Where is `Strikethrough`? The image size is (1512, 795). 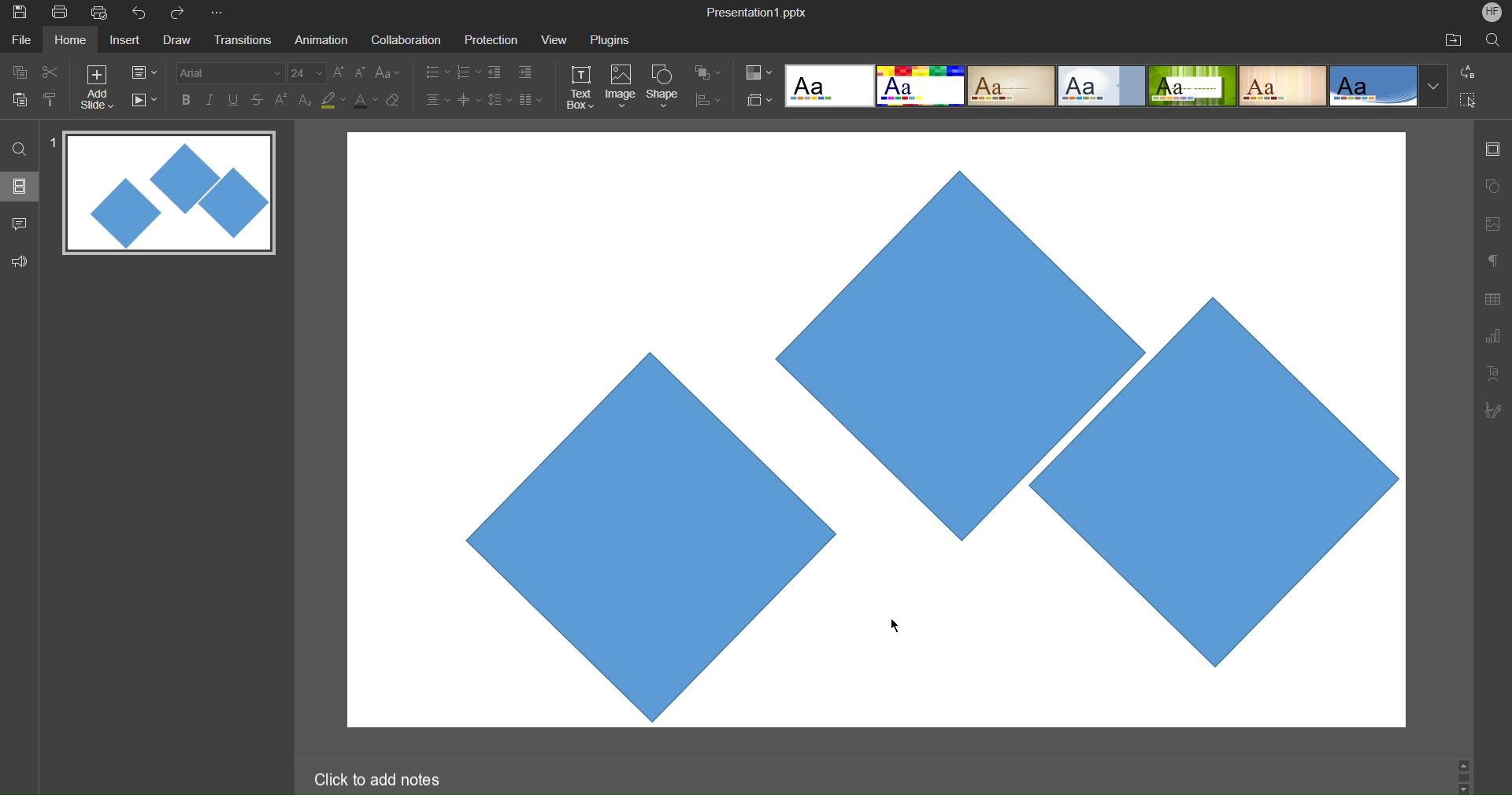
Strikethrough is located at coordinates (258, 99).